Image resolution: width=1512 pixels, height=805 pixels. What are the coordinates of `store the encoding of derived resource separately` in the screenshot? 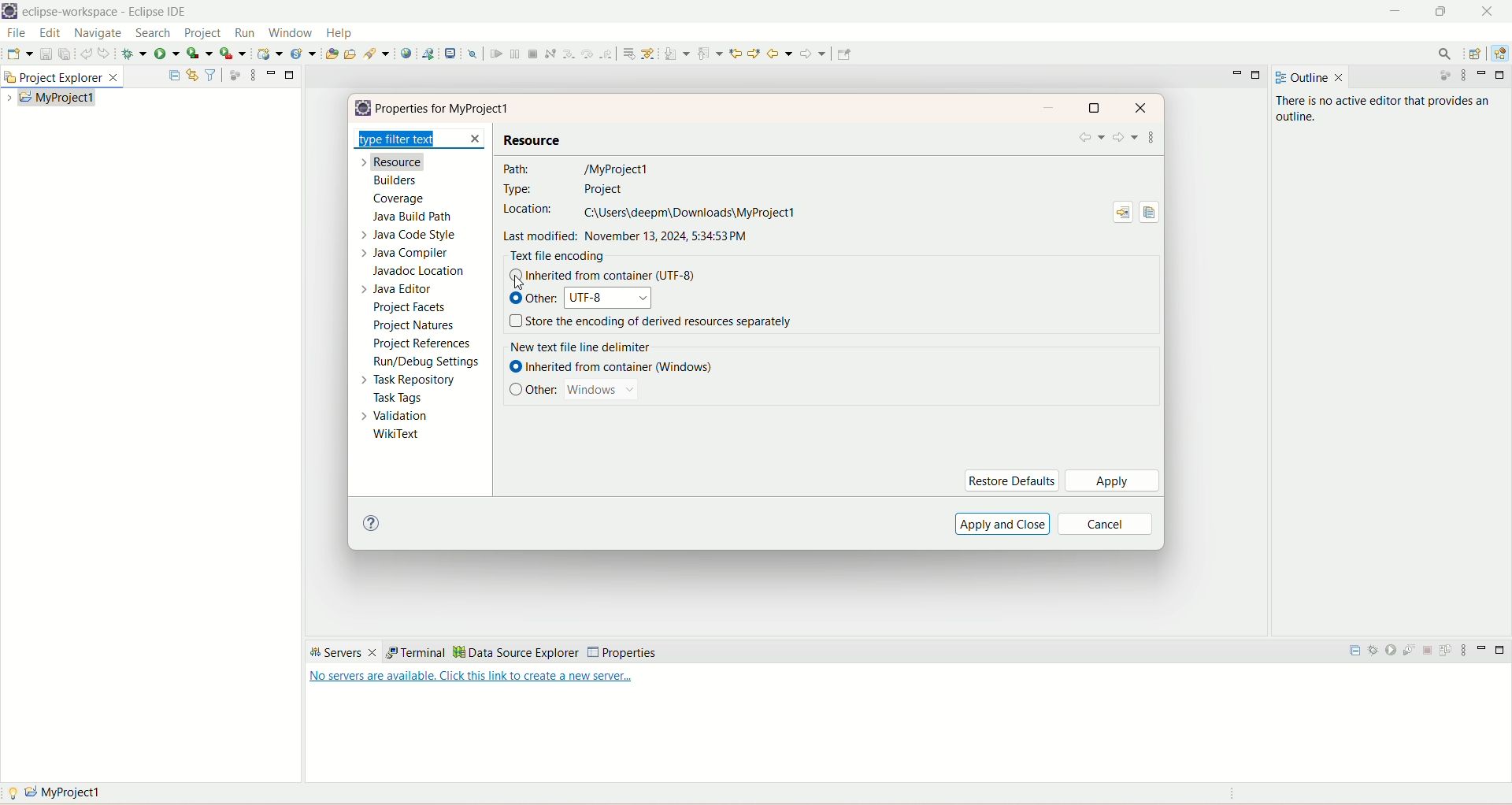 It's located at (665, 323).